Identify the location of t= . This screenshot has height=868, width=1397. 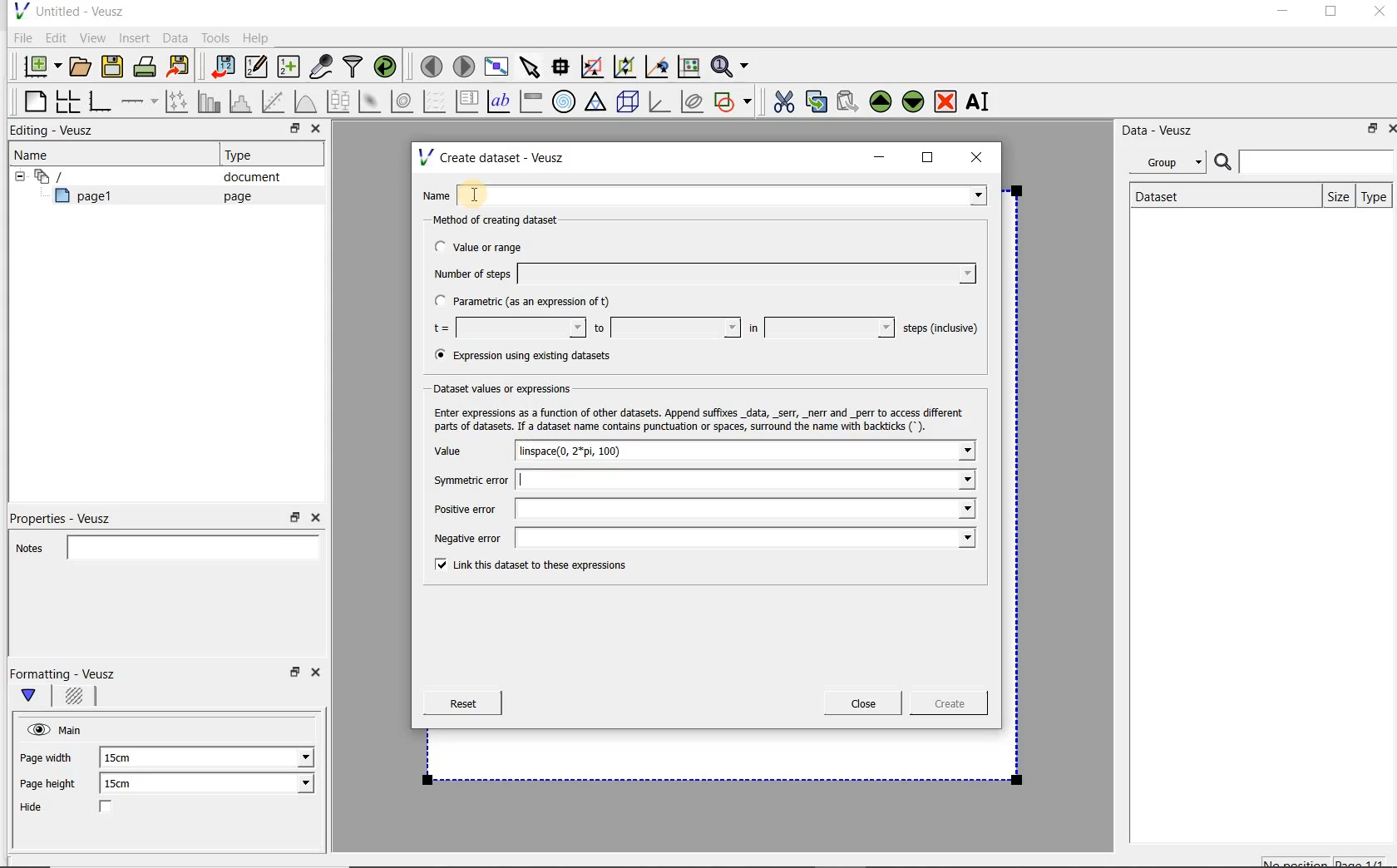
(506, 328).